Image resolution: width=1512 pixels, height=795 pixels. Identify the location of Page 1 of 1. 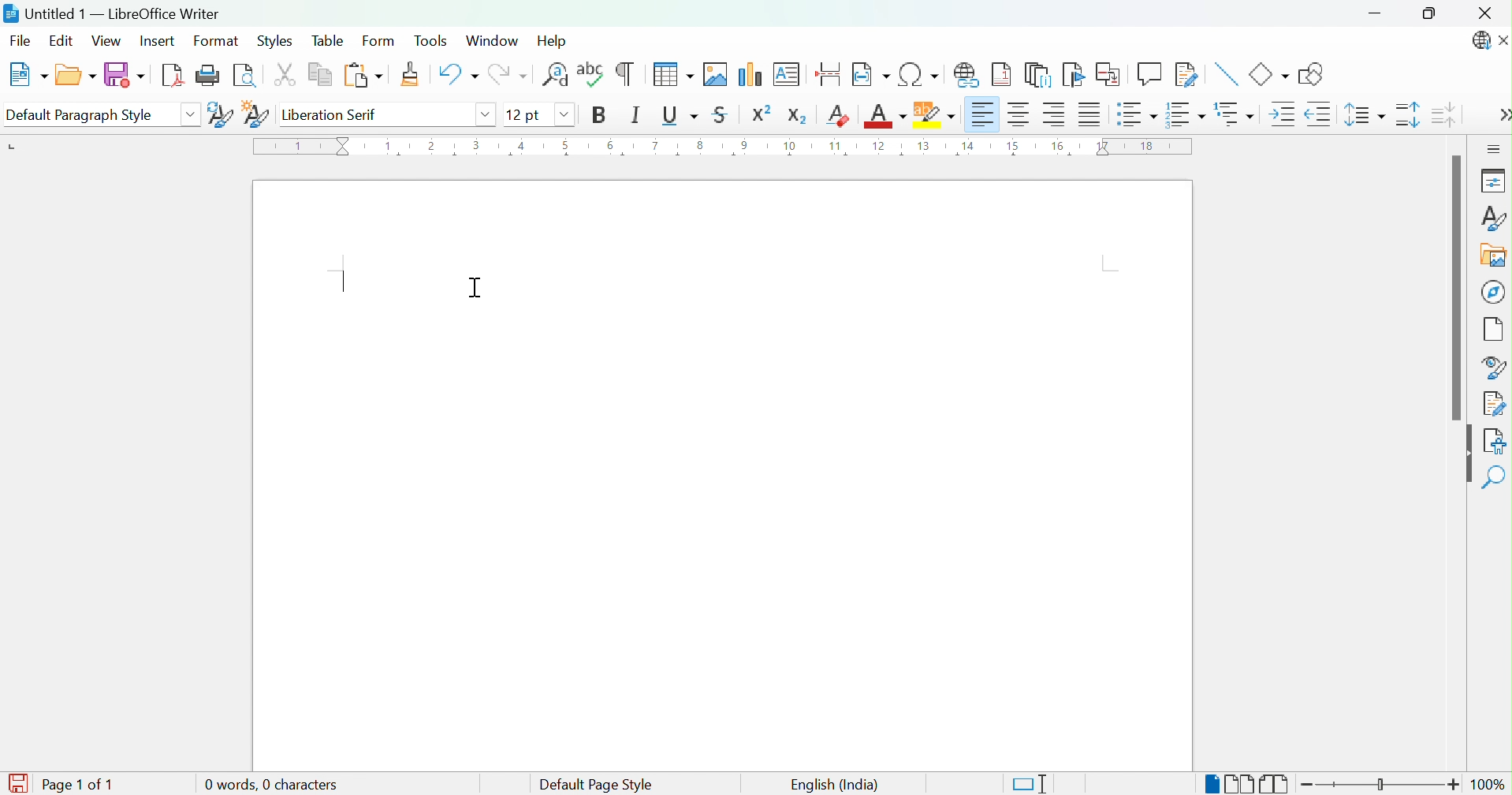
(76, 784).